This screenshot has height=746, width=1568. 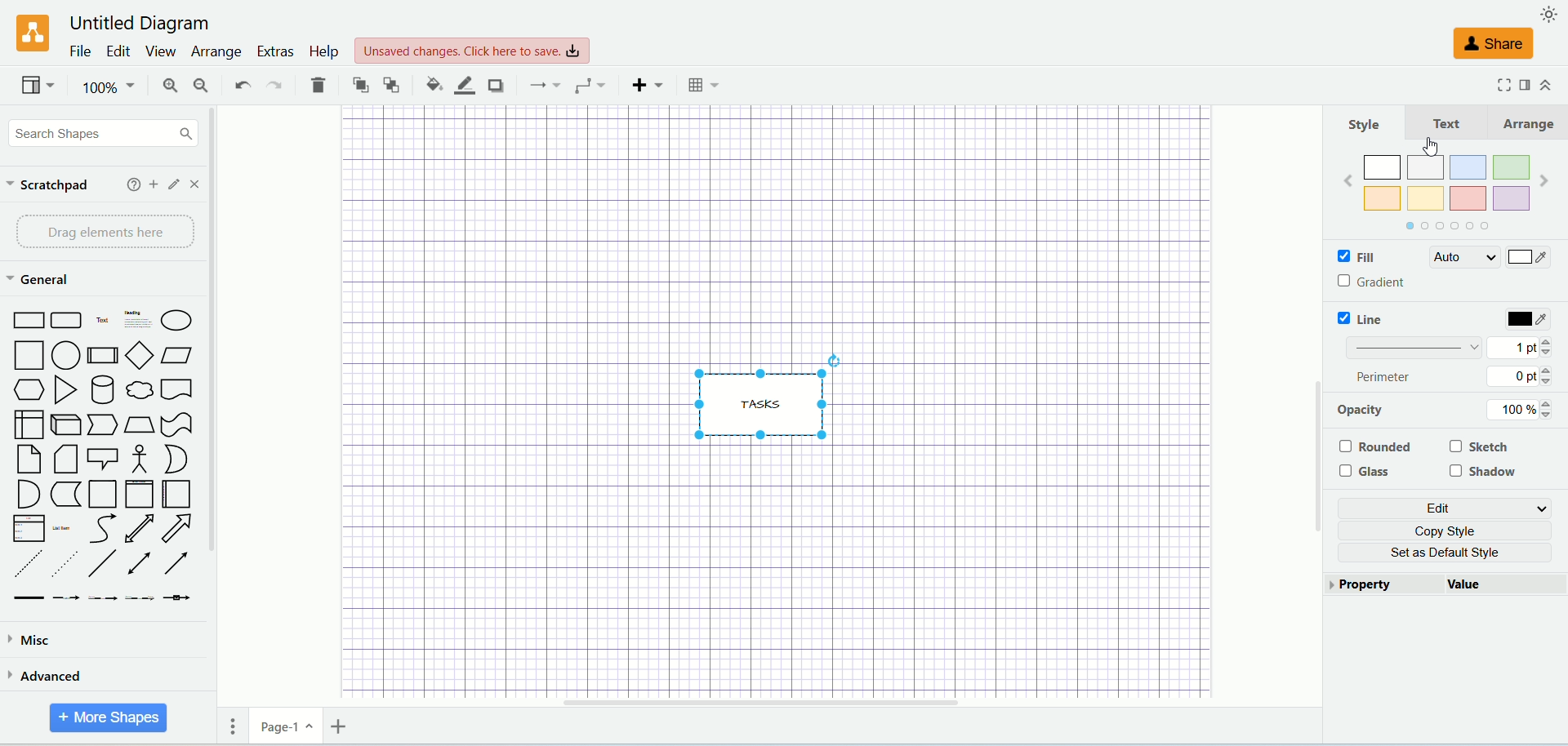 I want to click on Connector with label, so click(x=65, y=598).